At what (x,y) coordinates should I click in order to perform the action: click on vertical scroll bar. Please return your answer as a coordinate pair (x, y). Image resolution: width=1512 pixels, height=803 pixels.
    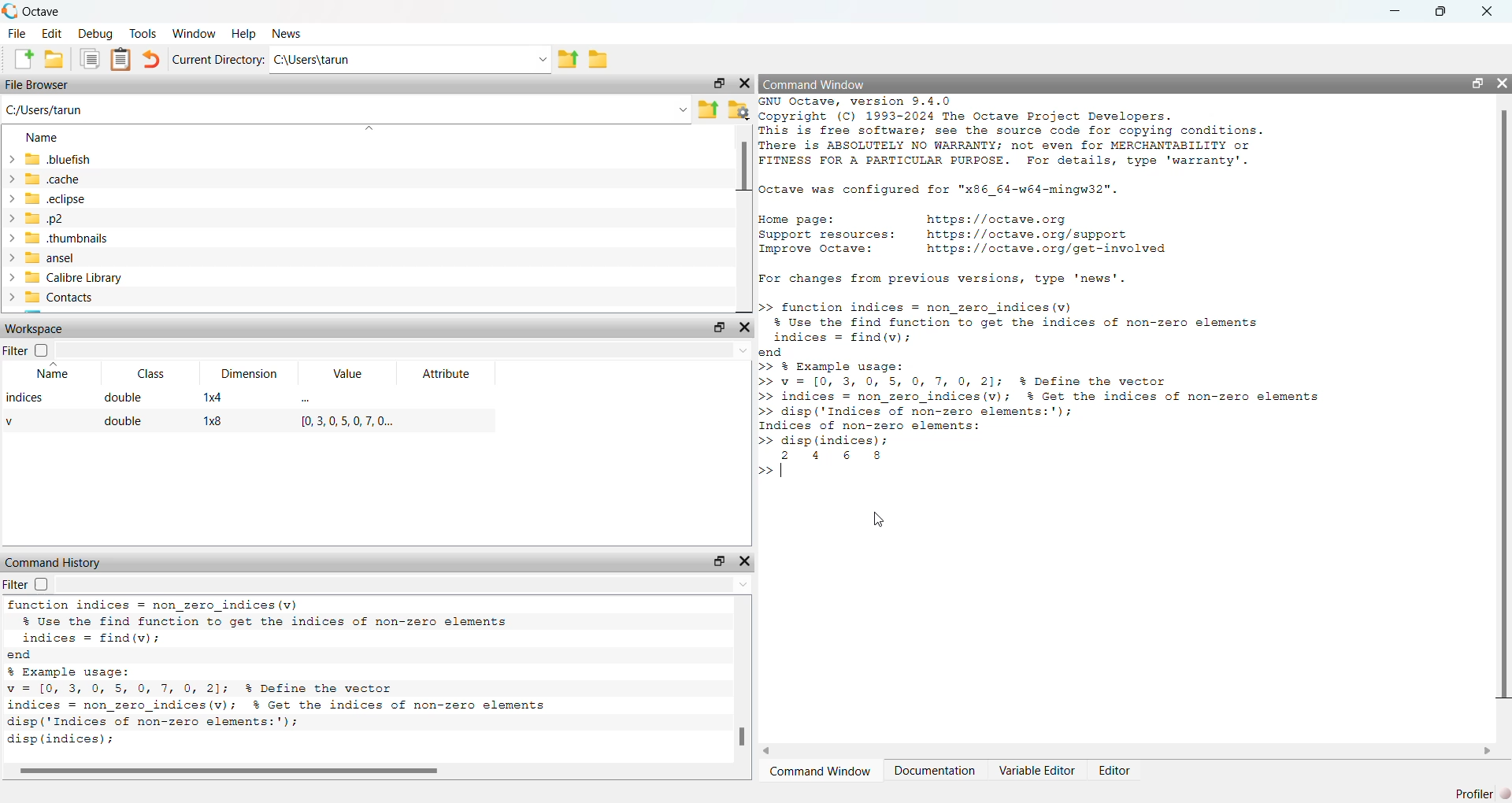
    Looking at the image, I should click on (1503, 405).